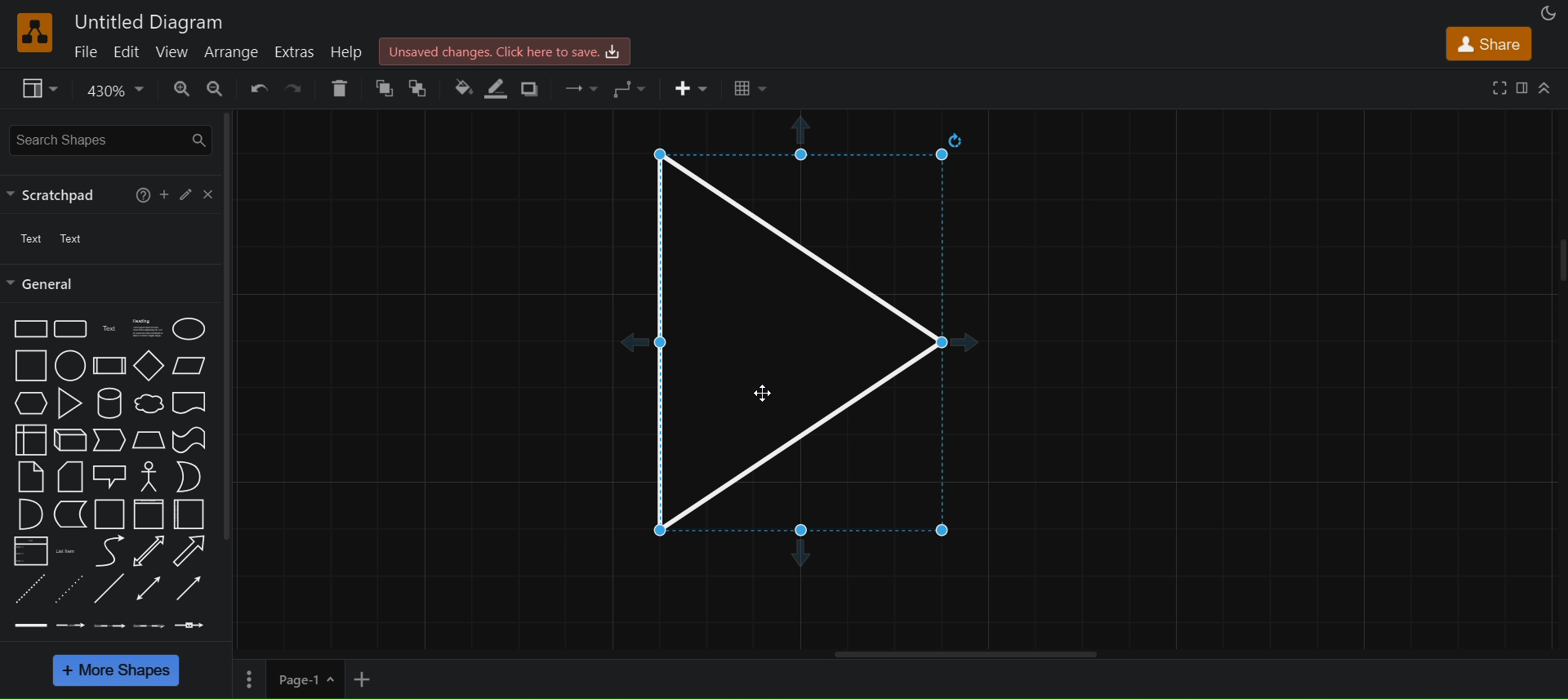 The image size is (1568, 699). What do you see at coordinates (39, 88) in the screenshot?
I see `view` at bounding box center [39, 88].